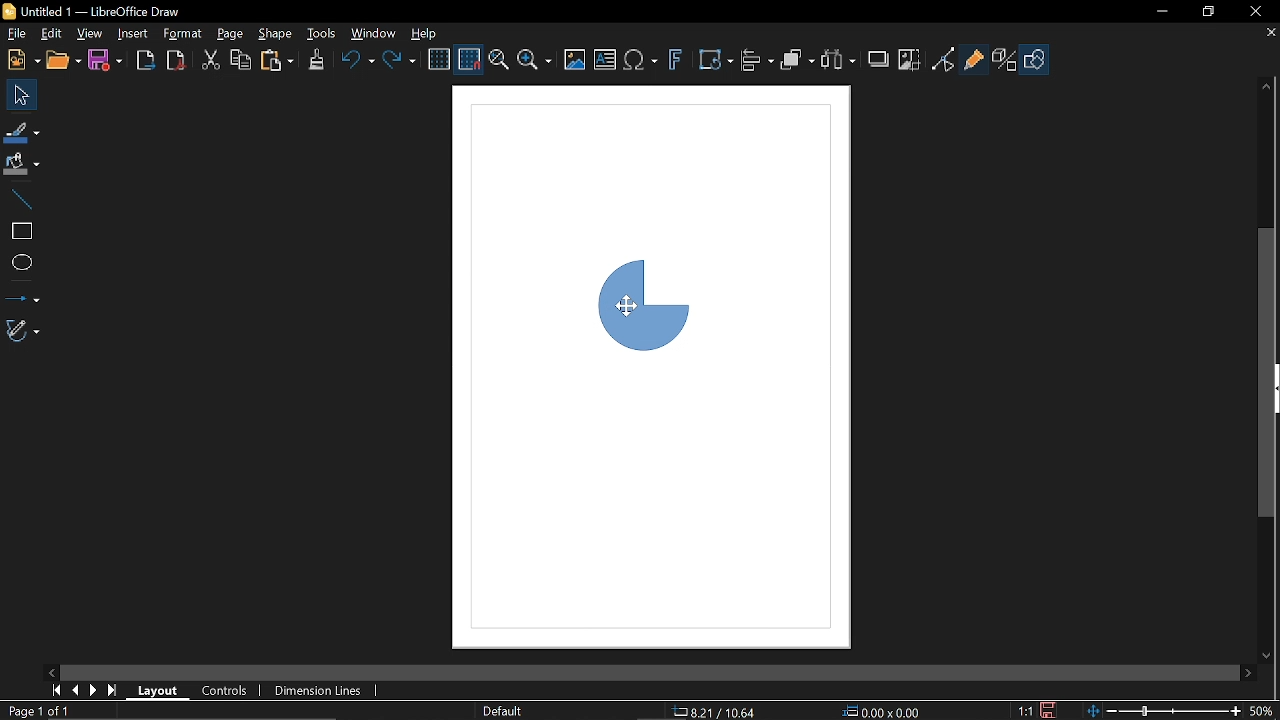  Describe the element at coordinates (175, 58) in the screenshot. I see `Export as pdf` at that location.